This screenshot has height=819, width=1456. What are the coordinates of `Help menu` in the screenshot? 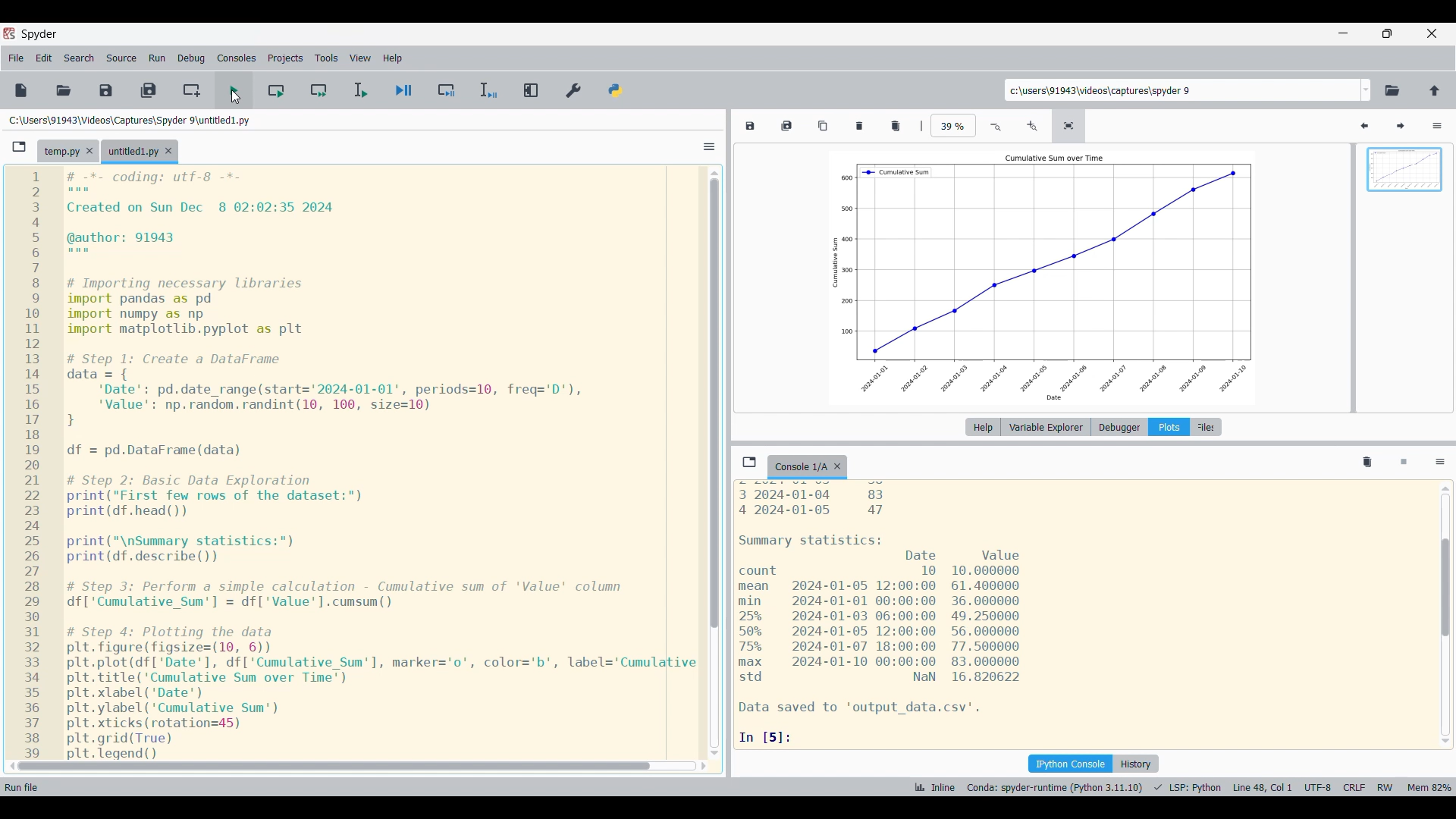 It's located at (393, 58).